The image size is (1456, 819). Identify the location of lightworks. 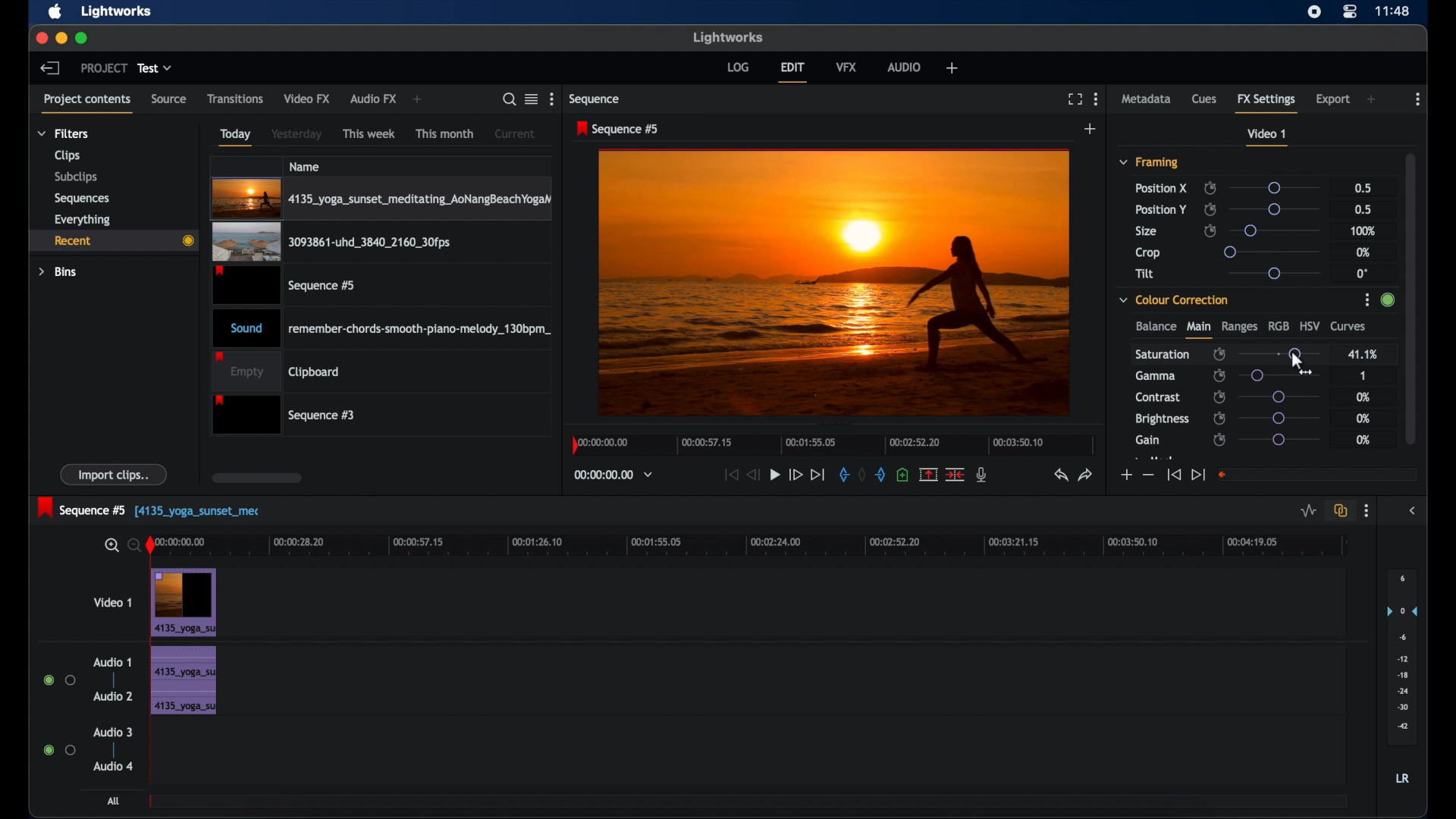
(117, 12).